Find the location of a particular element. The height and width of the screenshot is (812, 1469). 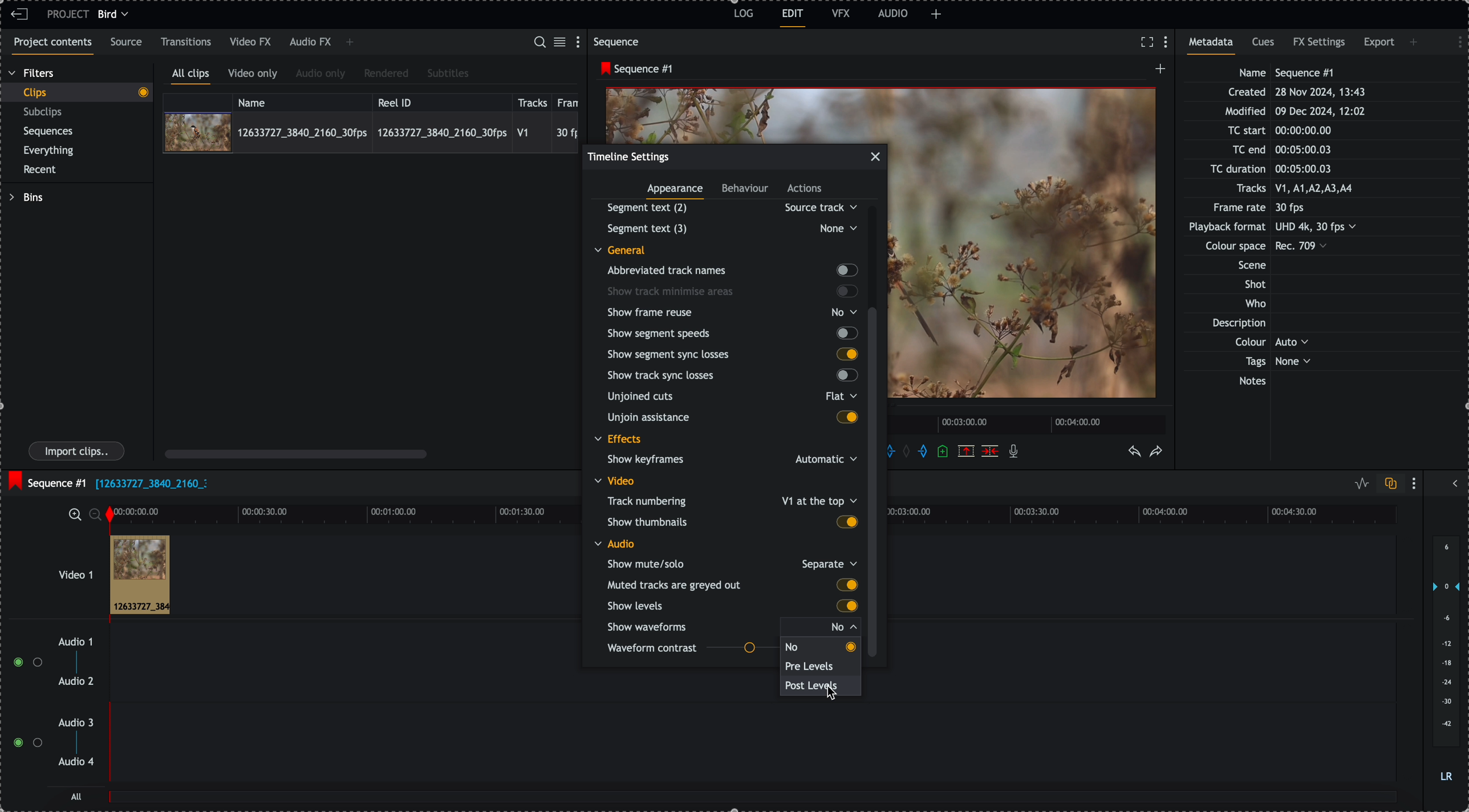

metadata is located at coordinates (1215, 46).